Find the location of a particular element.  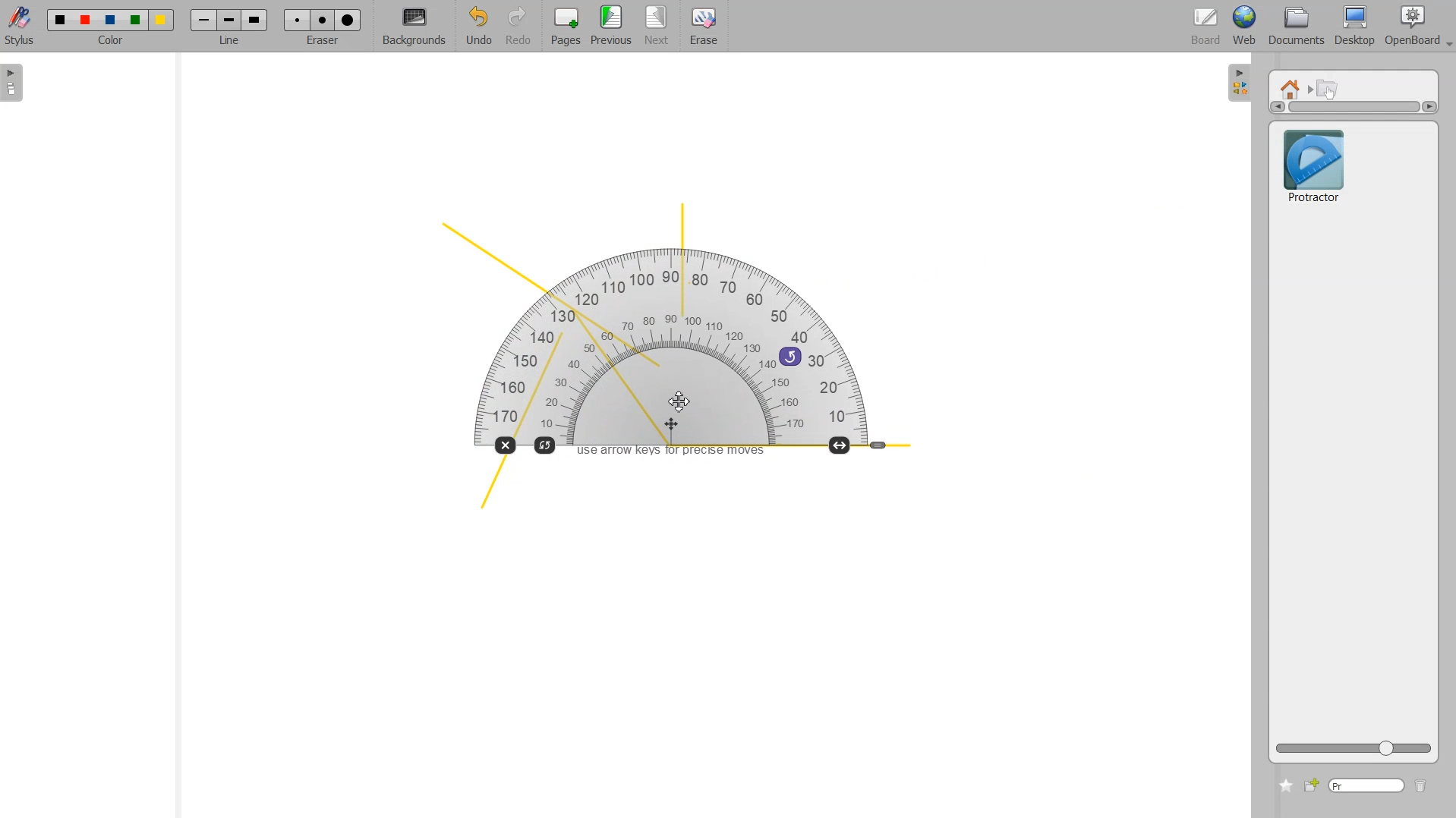

Interactive is located at coordinates (1328, 88).